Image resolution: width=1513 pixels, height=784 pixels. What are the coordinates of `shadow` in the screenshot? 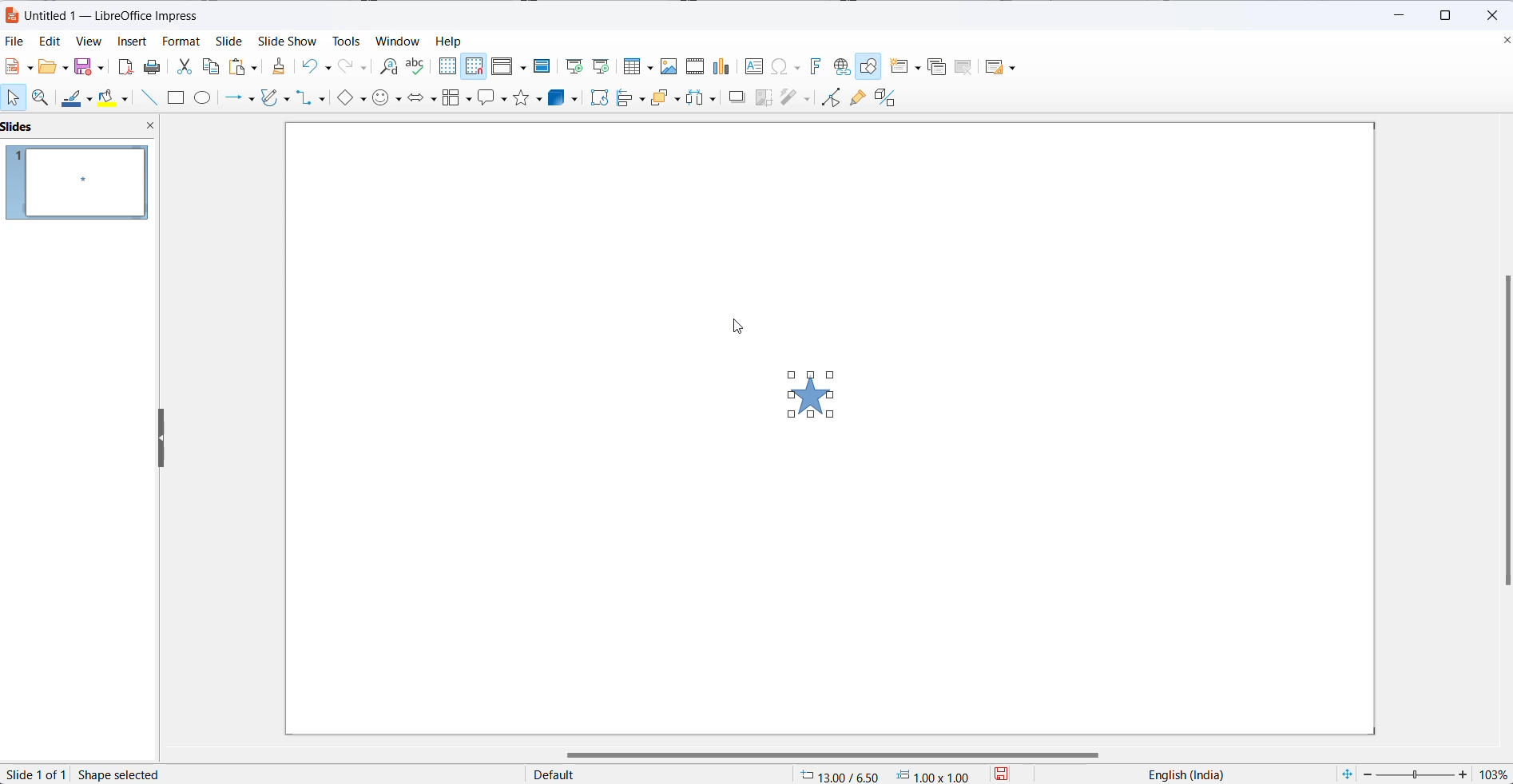 It's located at (738, 98).